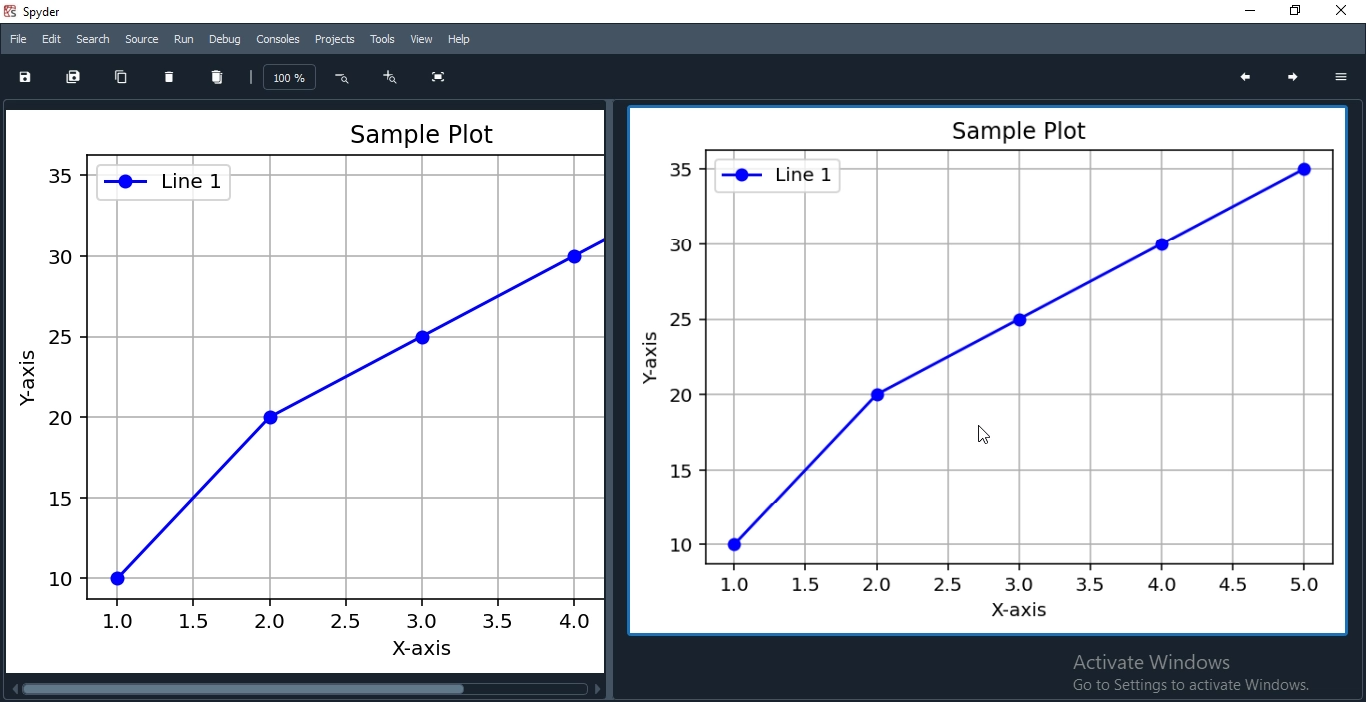 The image size is (1366, 702). What do you see at coordinates (421, 38) in the screenshot?
I see `View` at bounding box center [421, 38].